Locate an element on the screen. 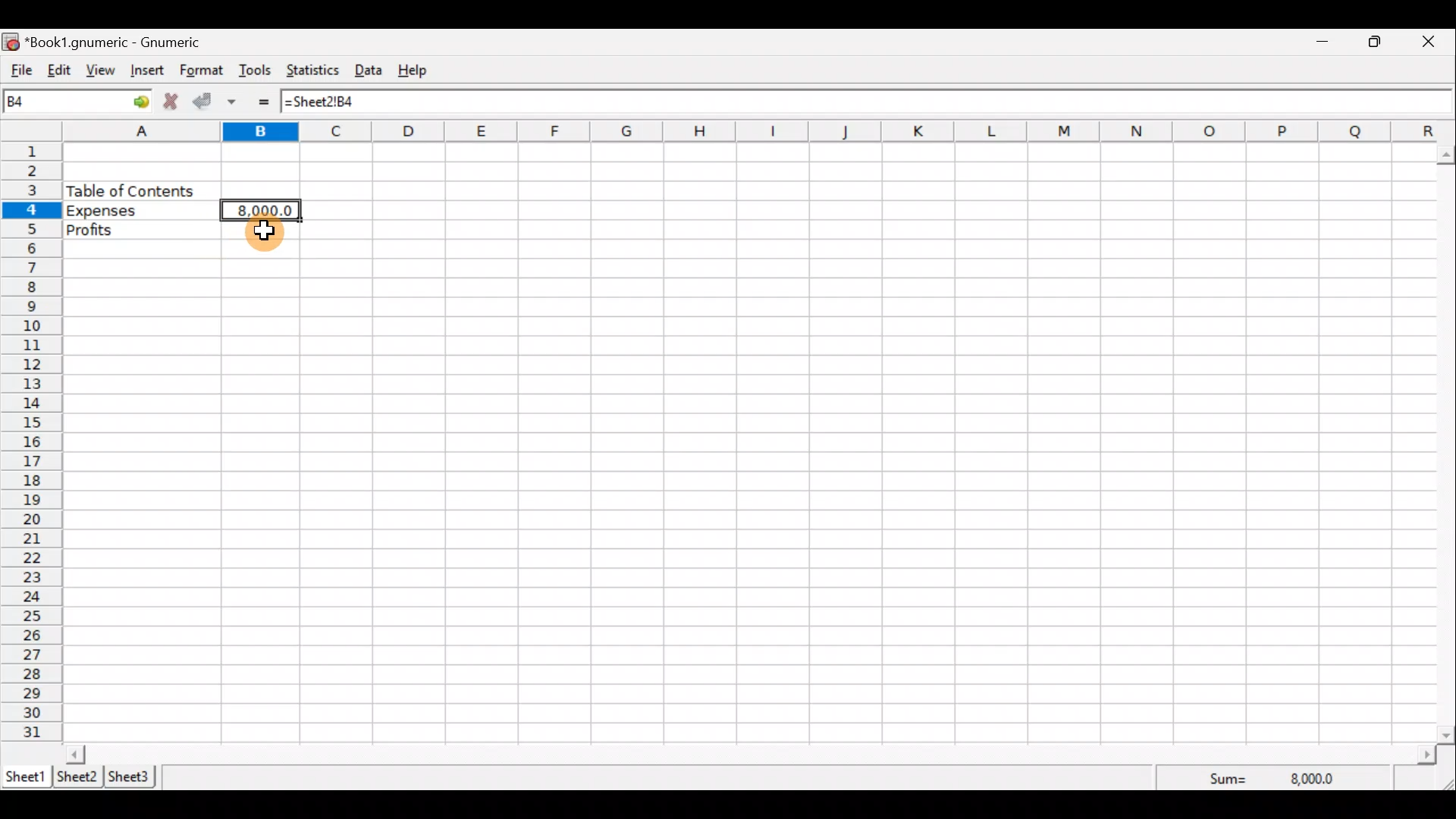 This screenshot has height=819, width=1456. Accept change is located at coordinates (206, 102).